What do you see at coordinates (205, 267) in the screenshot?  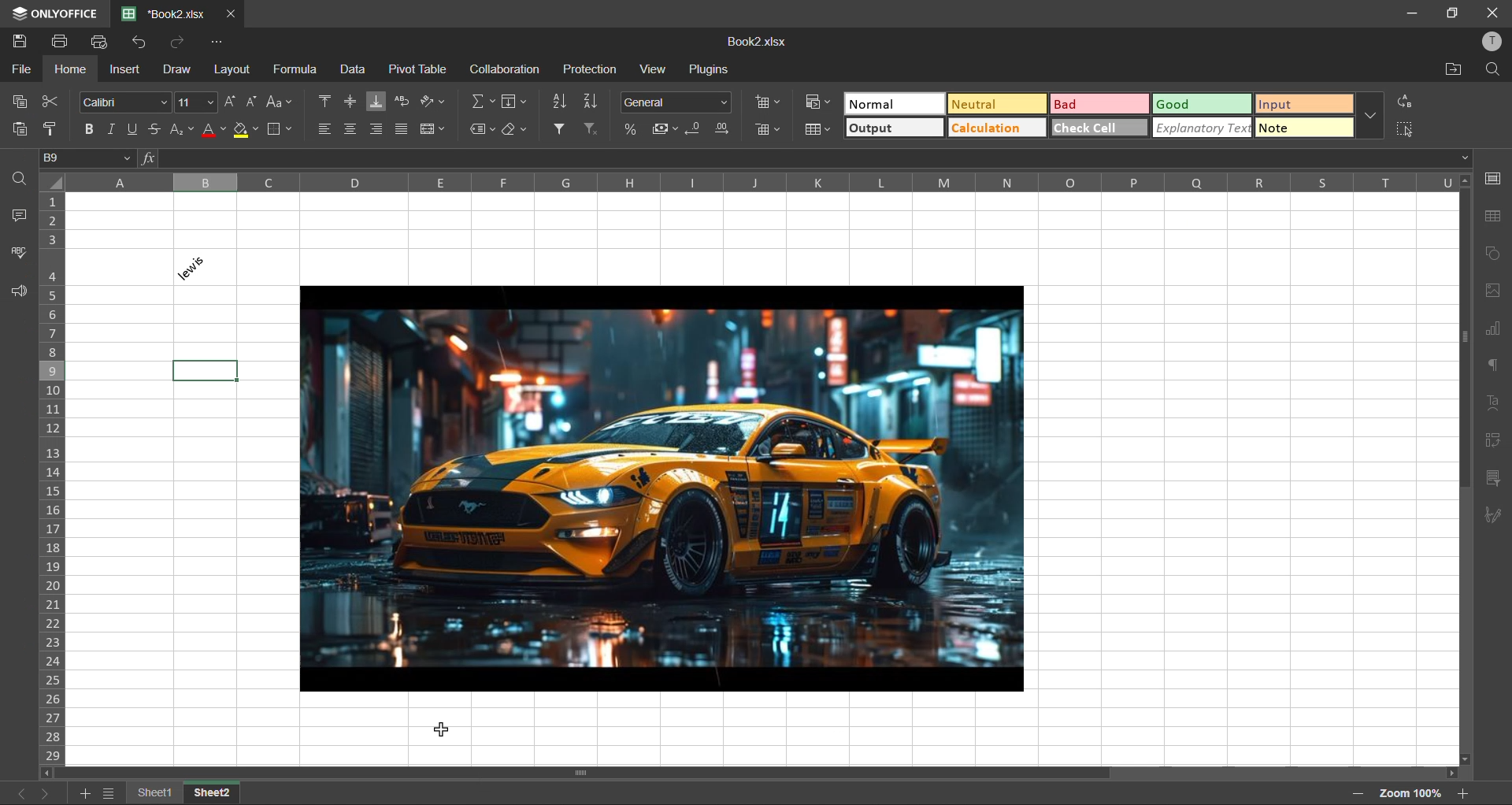 I see `lewis` at bounding box center [205, 267].